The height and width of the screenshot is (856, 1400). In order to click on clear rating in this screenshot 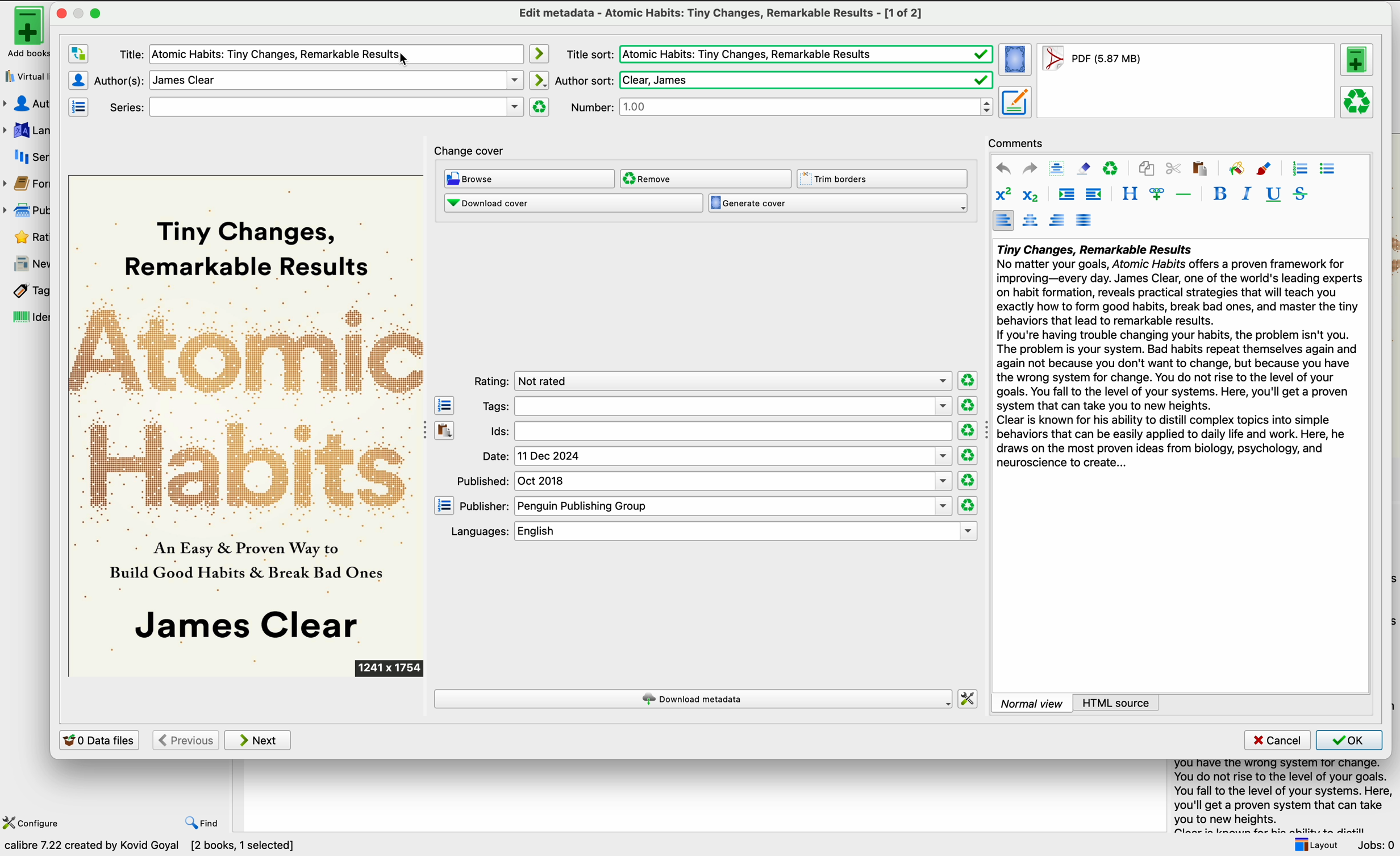, I will do `click(966, 430)`.